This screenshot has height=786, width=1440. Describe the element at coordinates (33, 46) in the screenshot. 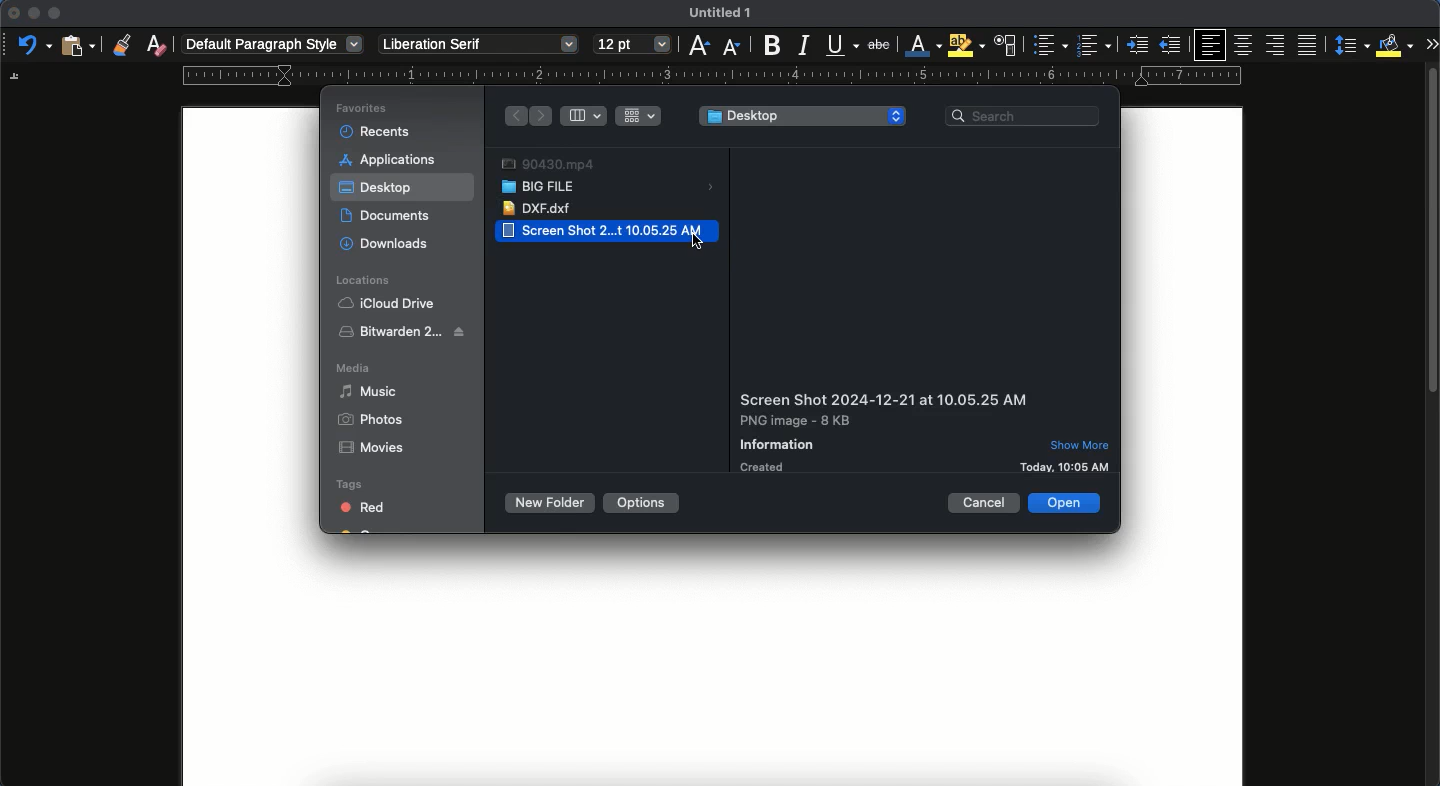

I see `undo` at that location.